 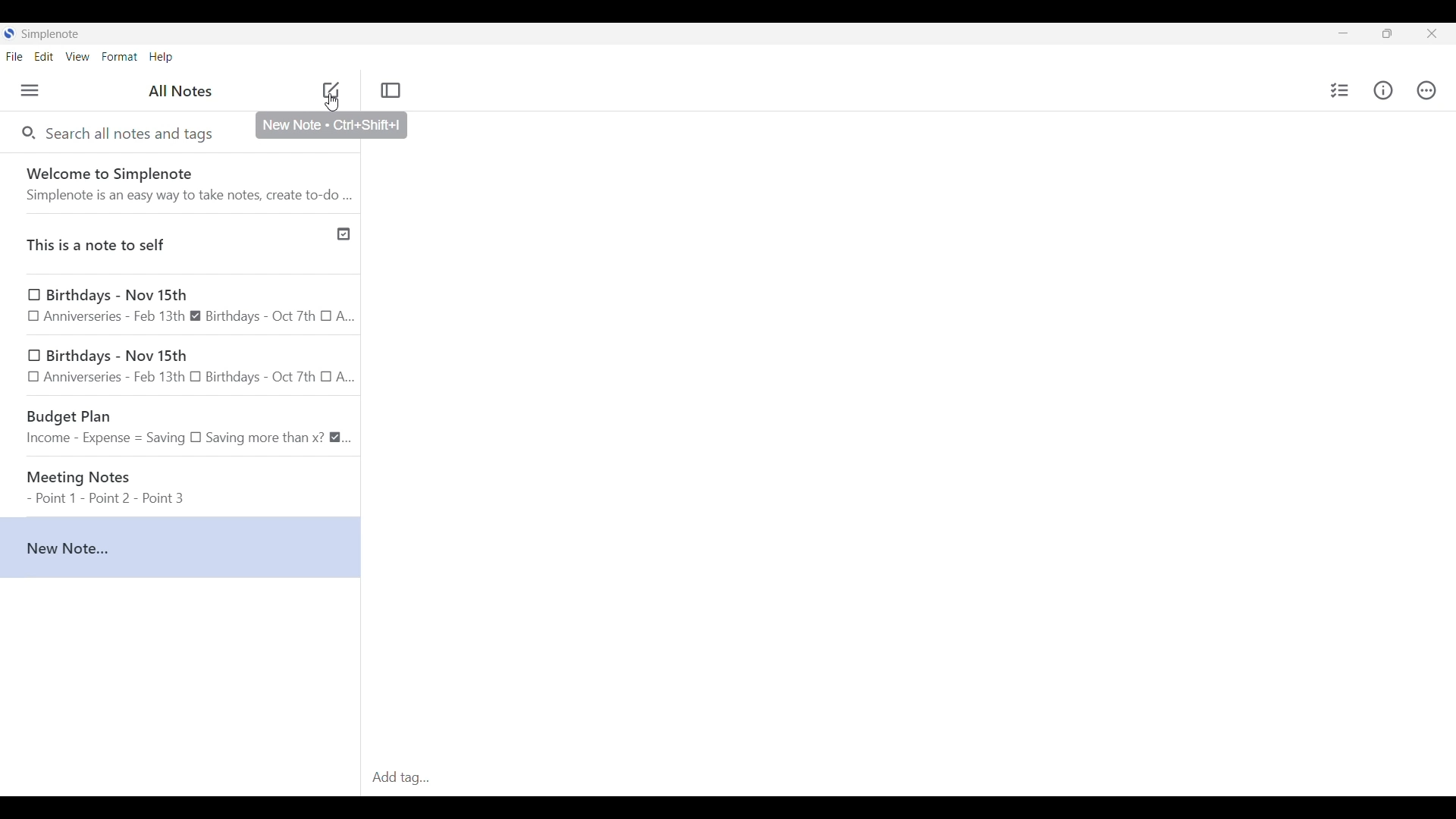 I want to click on Software logo, so click(x=10, y=33).